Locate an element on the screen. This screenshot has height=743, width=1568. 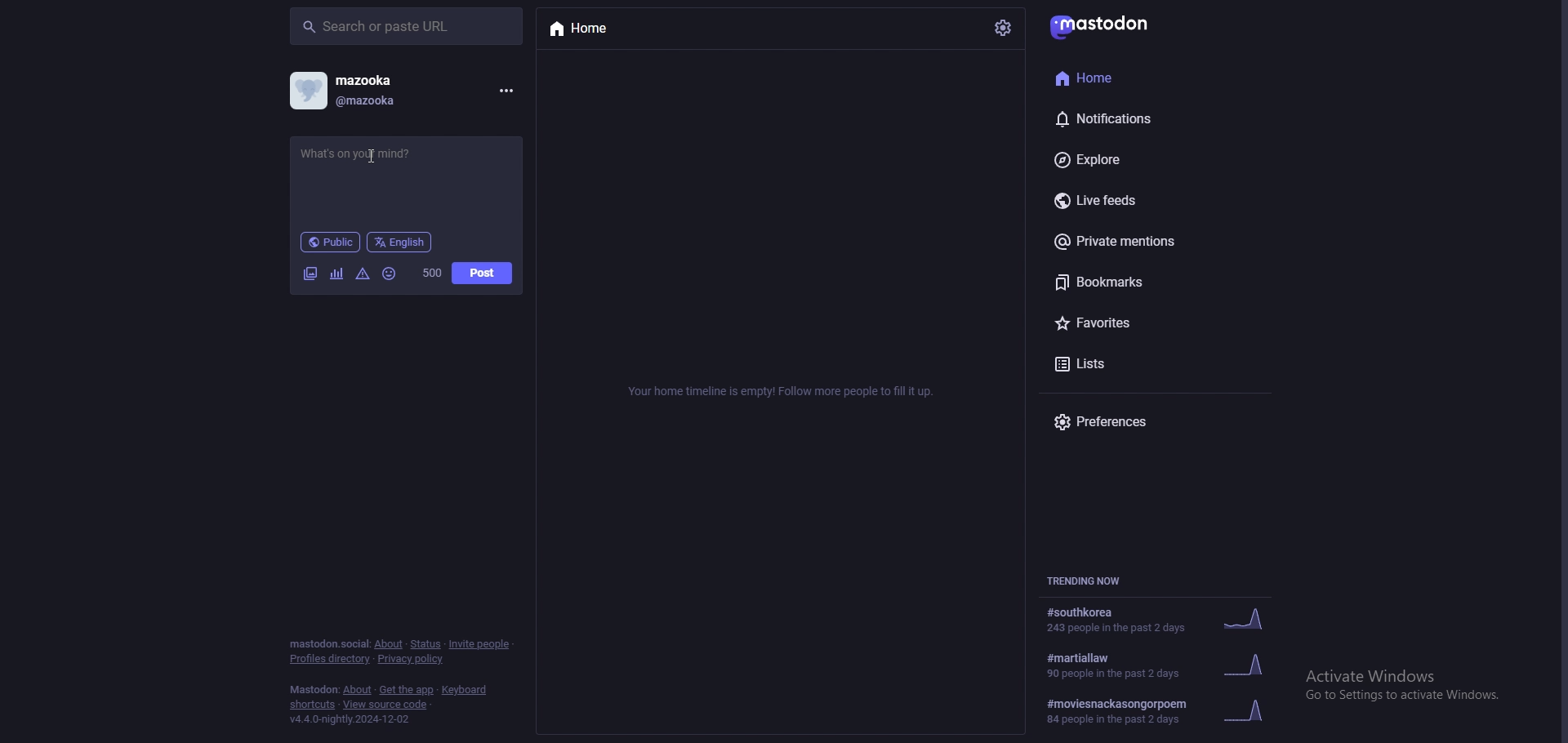
word count is located at coordinates (432, 273).